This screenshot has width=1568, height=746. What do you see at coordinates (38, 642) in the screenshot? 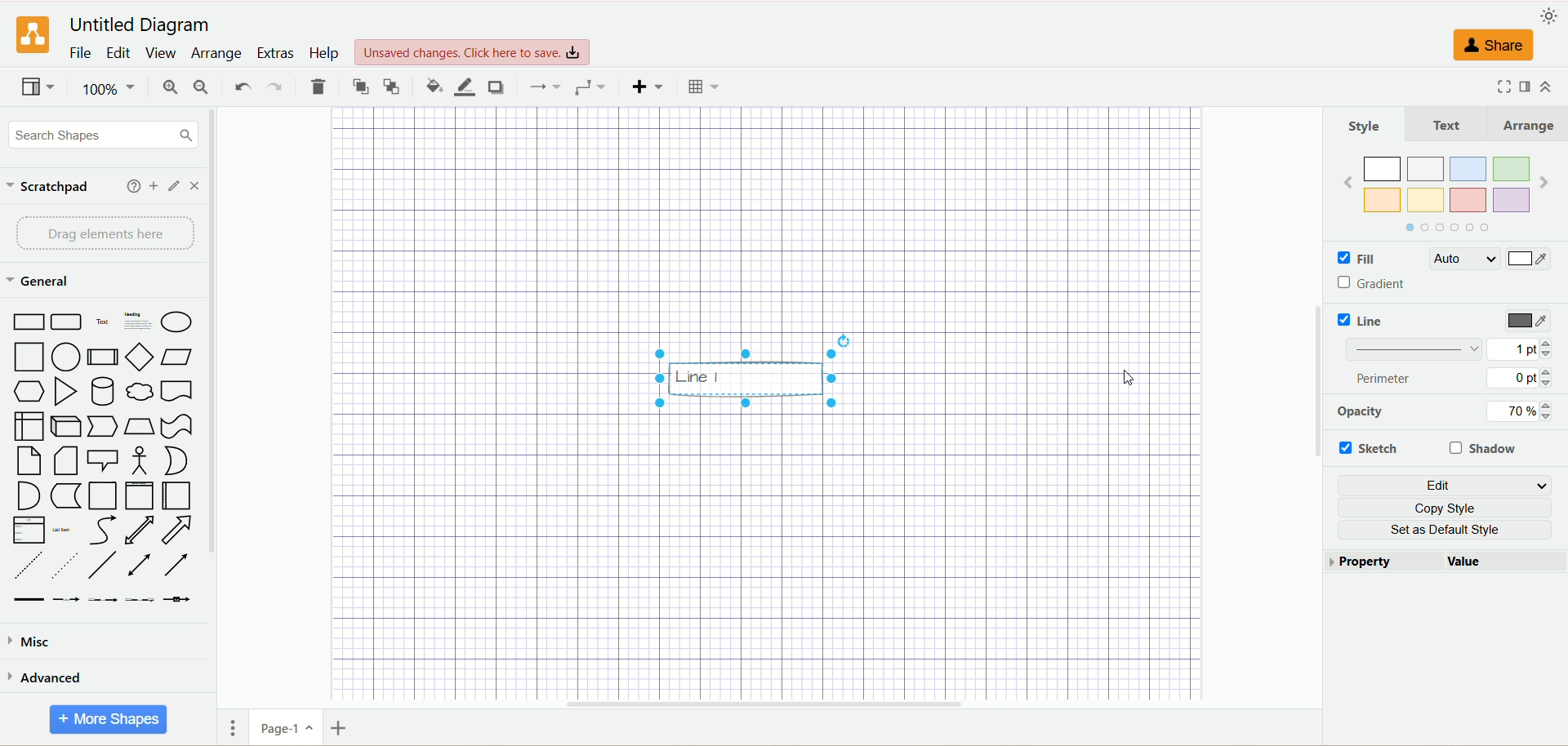
I see `misc` at bounding box center [38, 642].